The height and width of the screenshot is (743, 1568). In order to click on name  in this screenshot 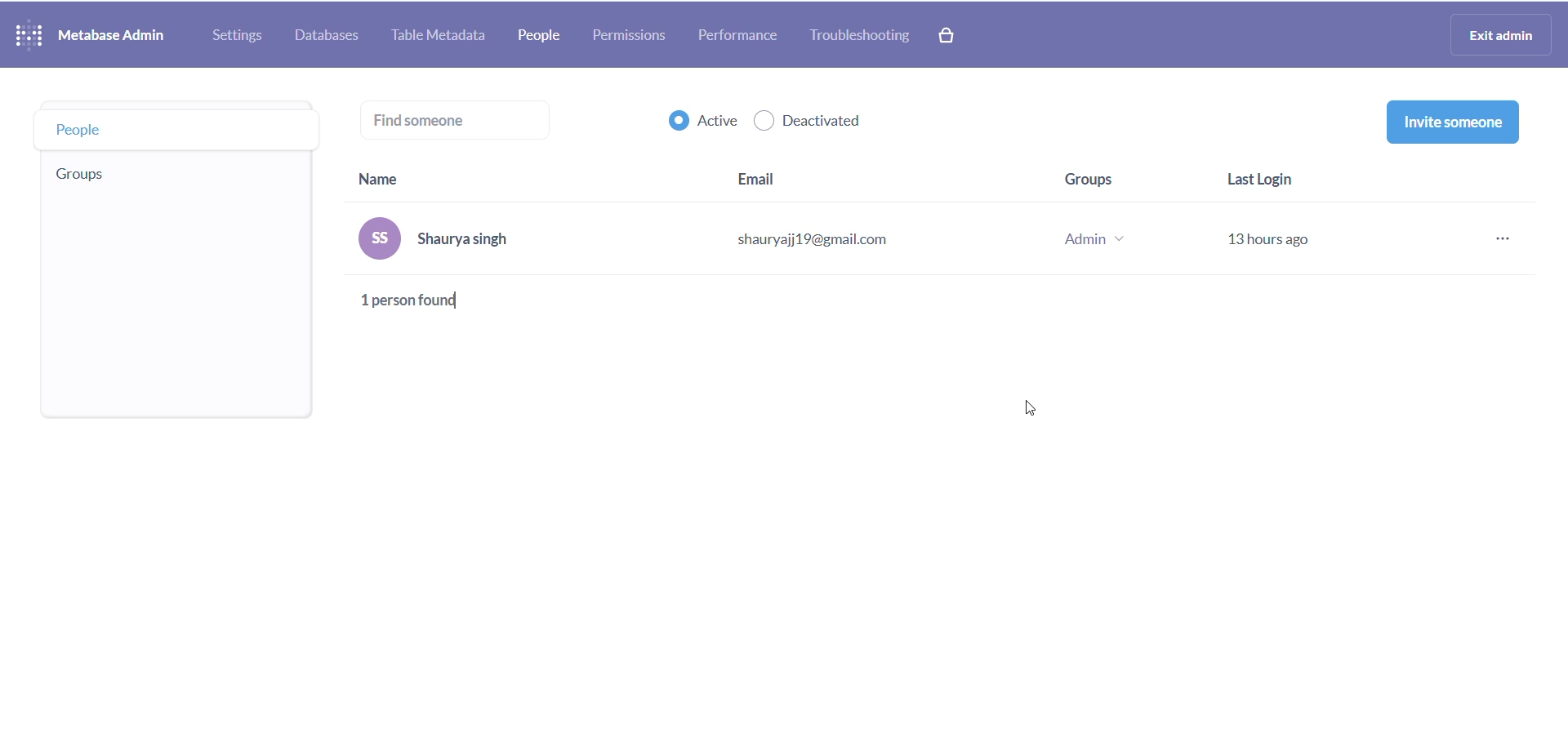, I will do `click(449, 242)`.